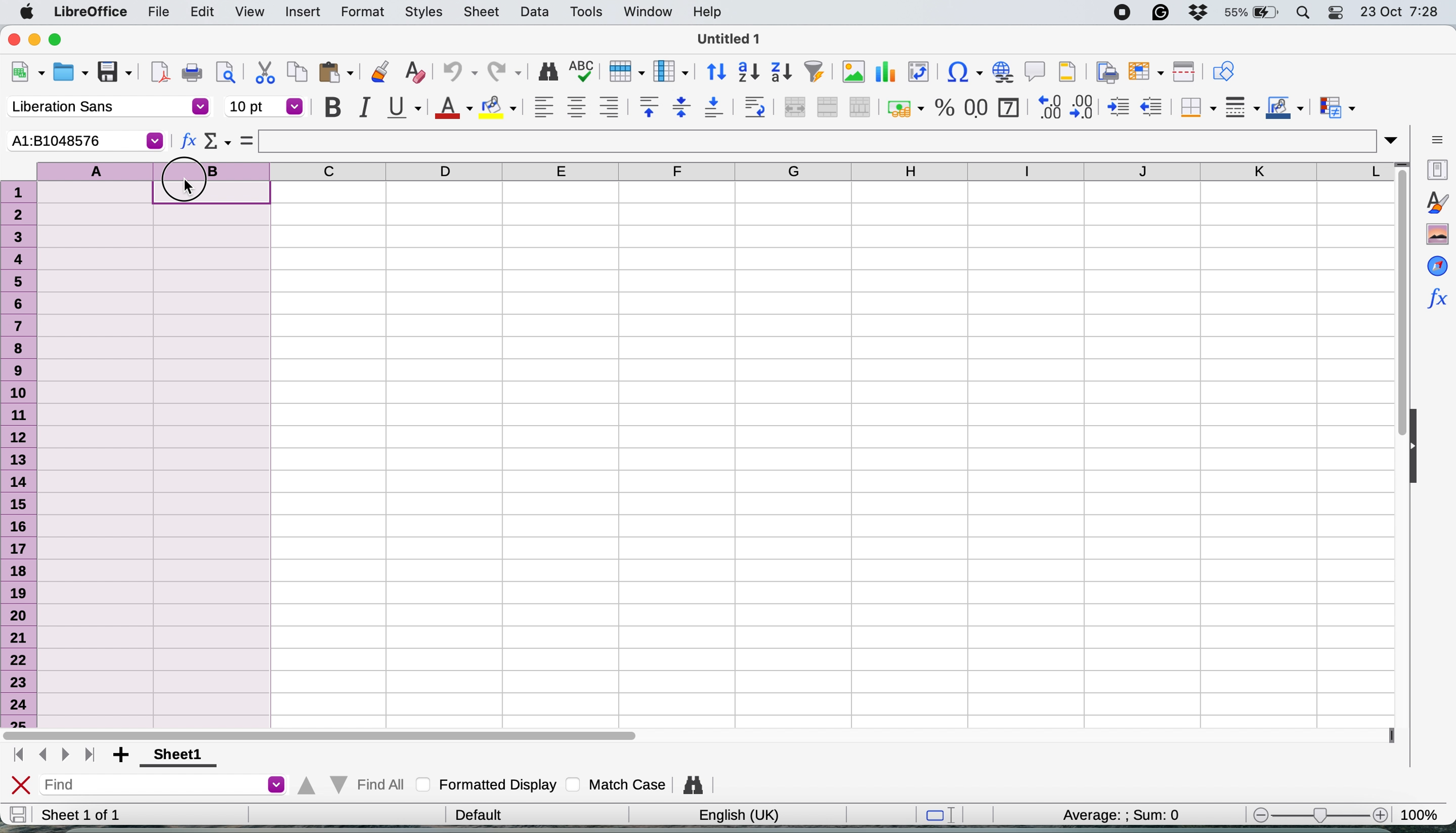 Image resolution: width=1456 pixels, height=833 pixels. Describe the element at coordinates (1186, 72) in the screenshot. I see `split window` at that location.